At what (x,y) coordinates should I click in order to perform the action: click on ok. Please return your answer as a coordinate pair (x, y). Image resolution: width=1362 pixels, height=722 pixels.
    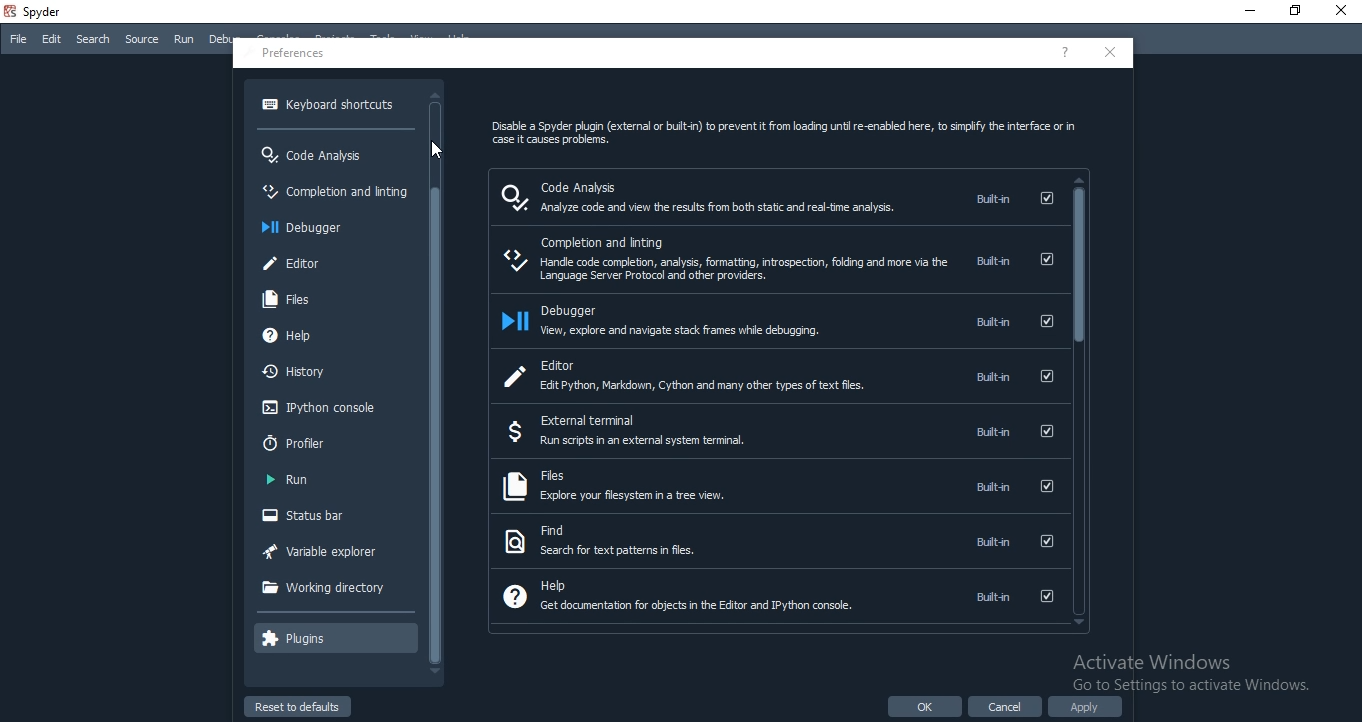
    Looking at the image, I should click on (922, 708).